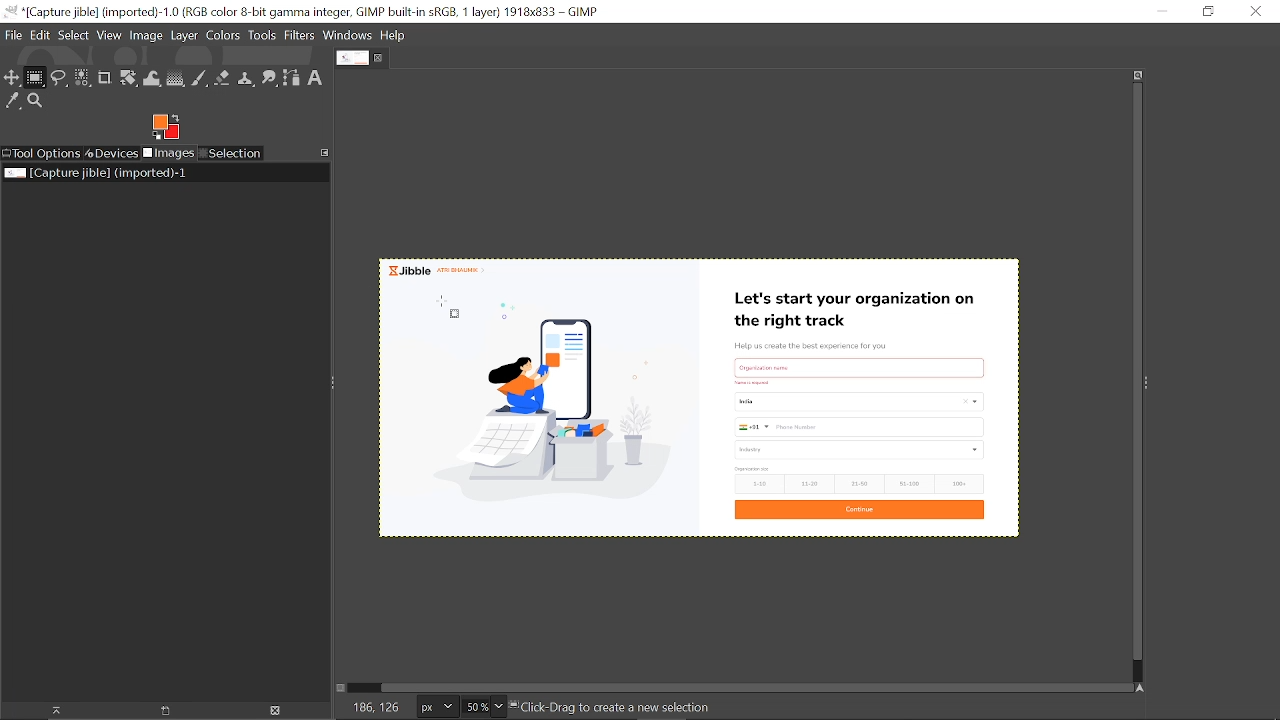 The width and height of the screenshot is (1280, 720). I want to click on Let's start your organization on
the right track, so click(861, 305).